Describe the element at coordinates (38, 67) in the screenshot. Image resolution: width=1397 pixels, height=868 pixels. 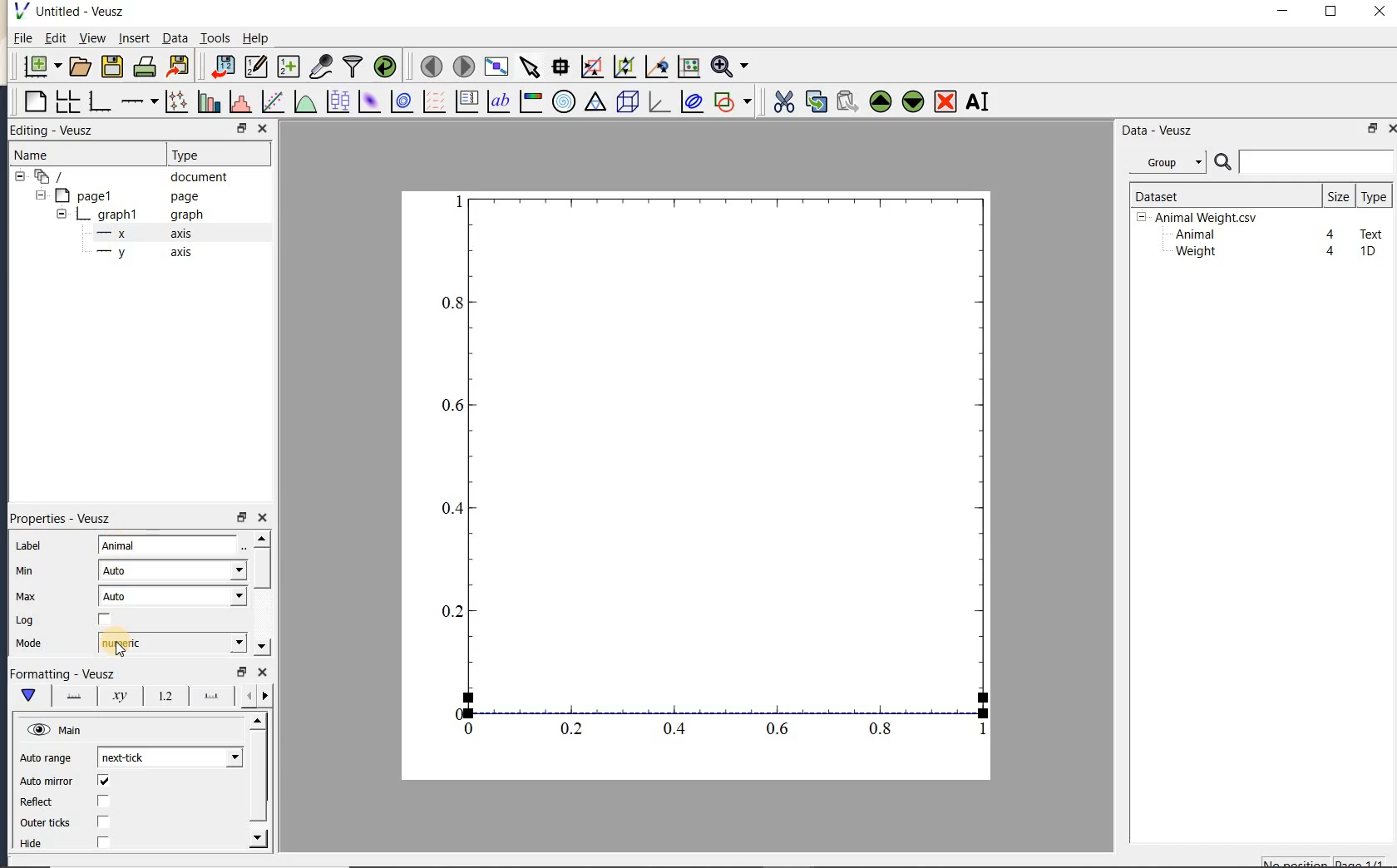
I see `new document` at that location.